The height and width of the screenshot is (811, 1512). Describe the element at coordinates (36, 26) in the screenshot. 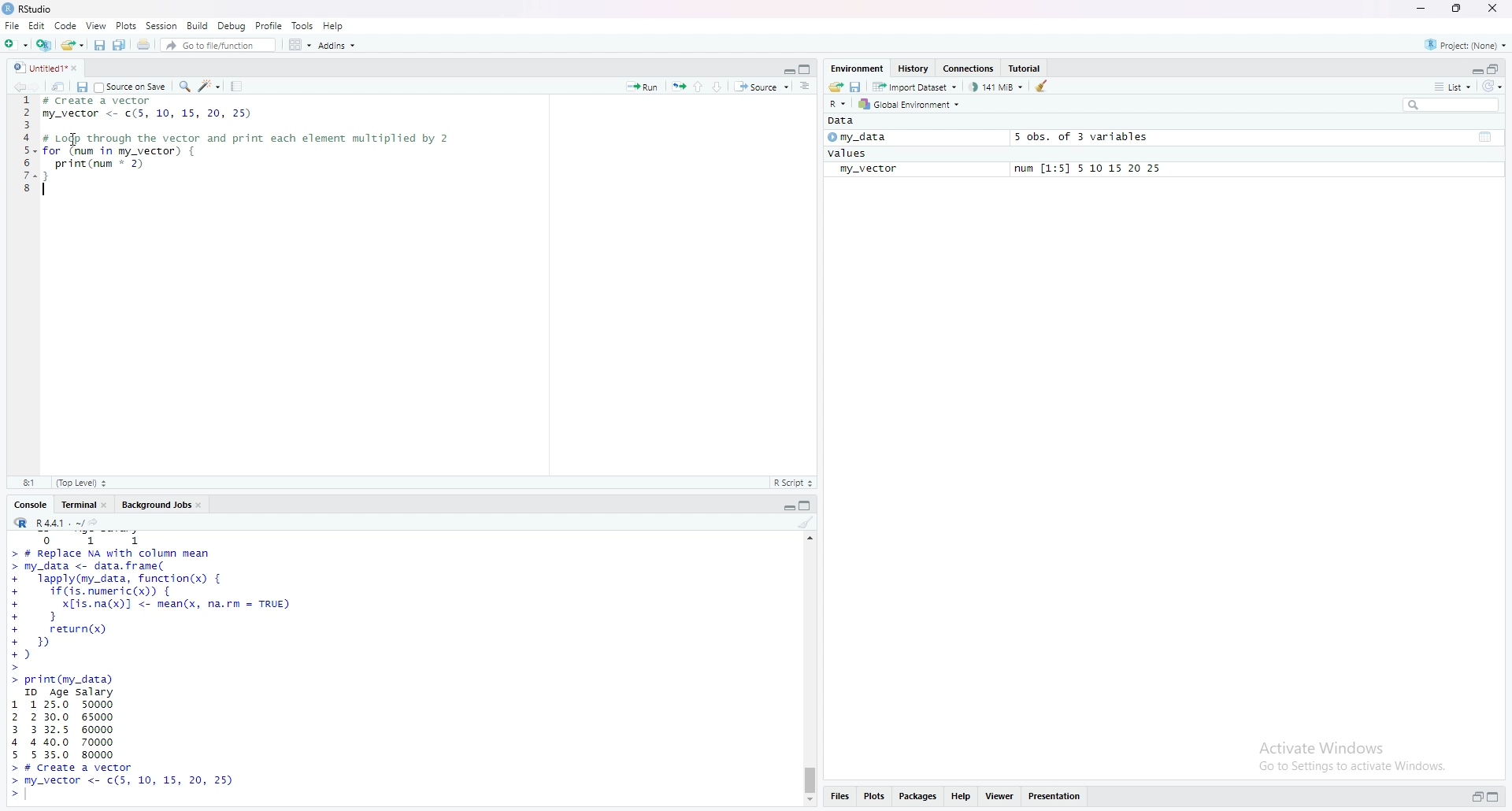

I see `Edit` at that location.